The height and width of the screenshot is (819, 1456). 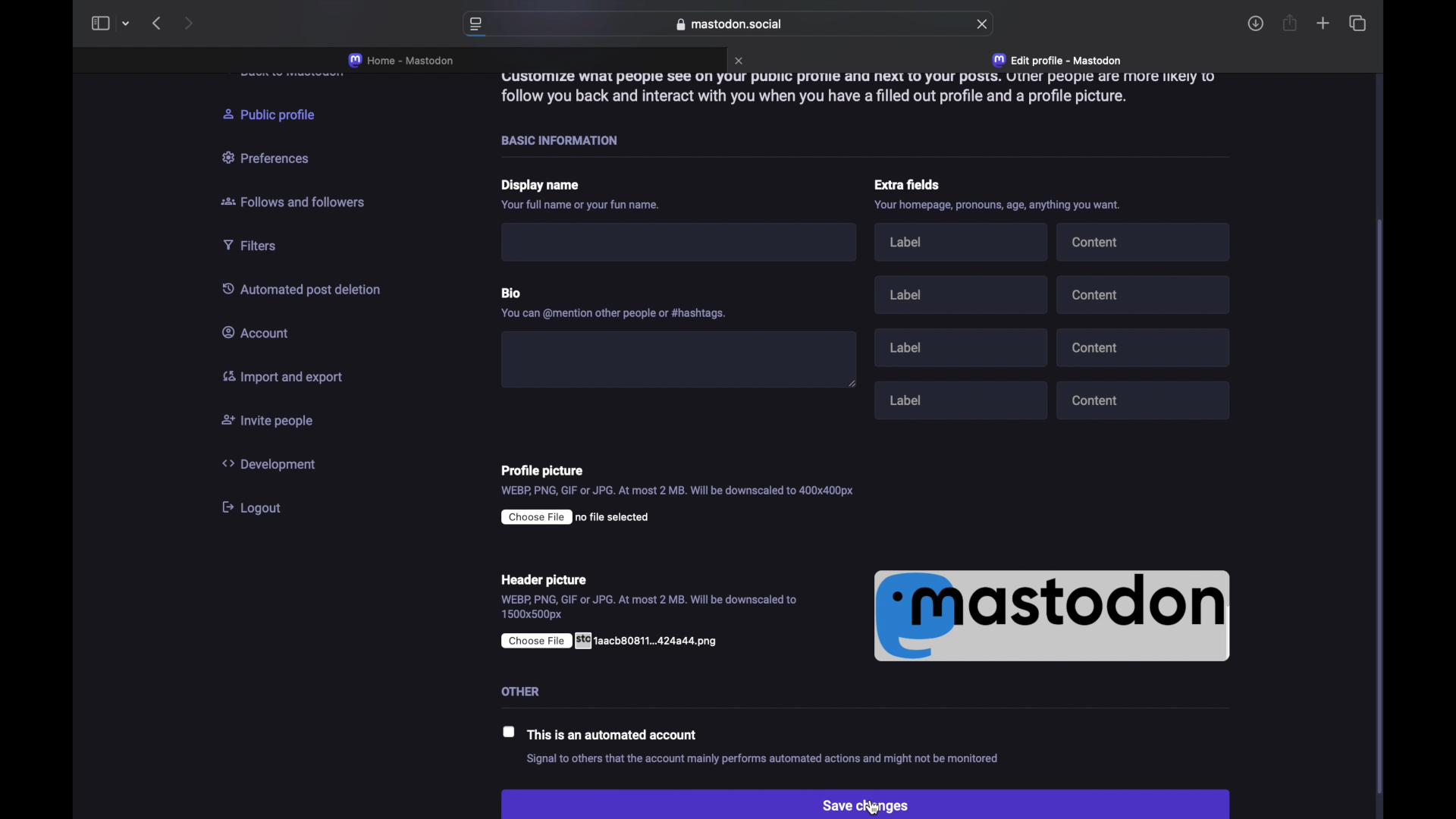 What do you see at coordinates (983, 24) in the screenshot?
I see `refresh` at bounding box center [983, 24].